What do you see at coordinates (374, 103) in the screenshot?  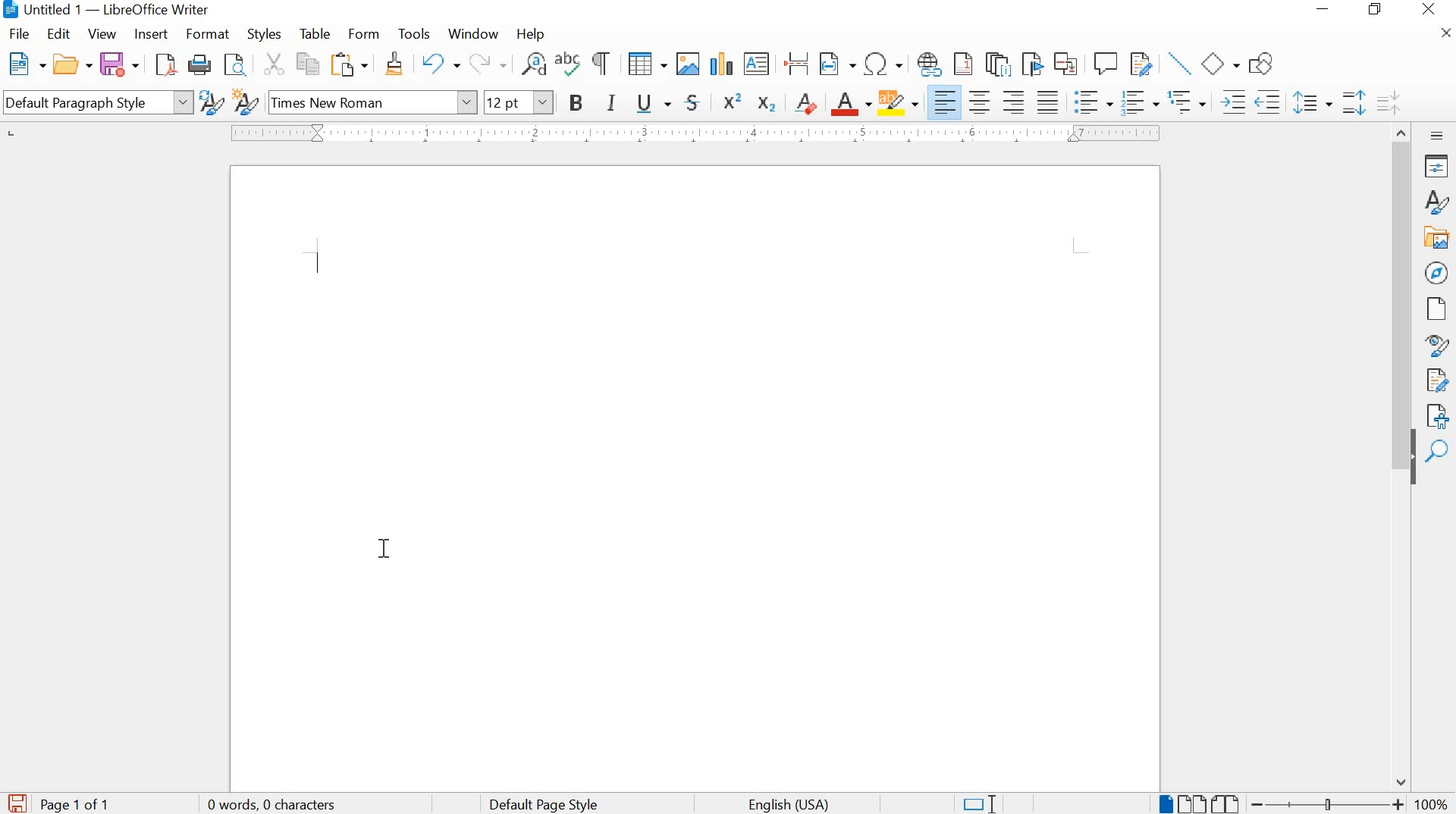 I see `FONT NAME` at bounding box center [374, 103].